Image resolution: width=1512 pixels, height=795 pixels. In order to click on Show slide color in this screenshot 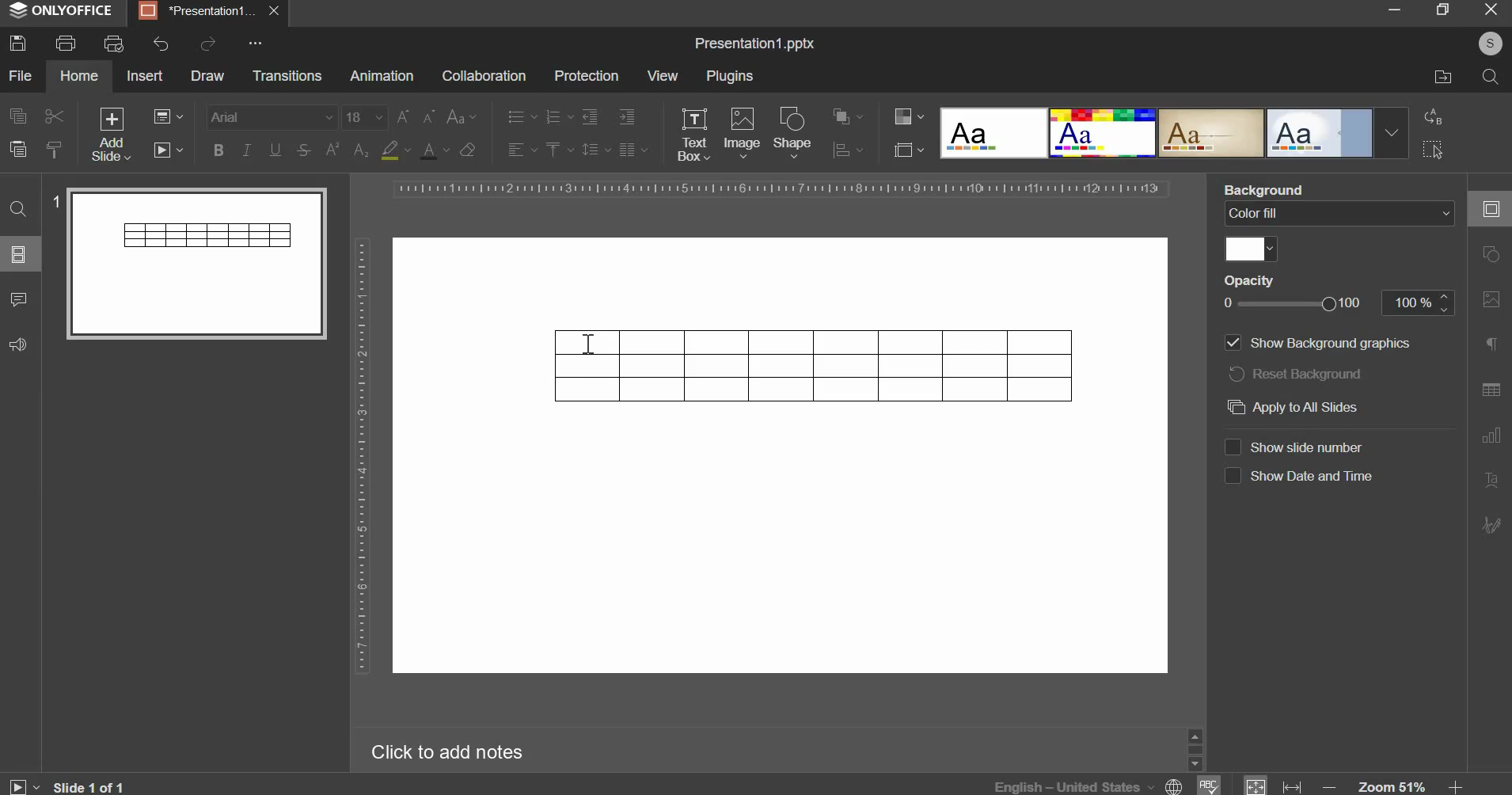, I will do `click(1311, 441)`.